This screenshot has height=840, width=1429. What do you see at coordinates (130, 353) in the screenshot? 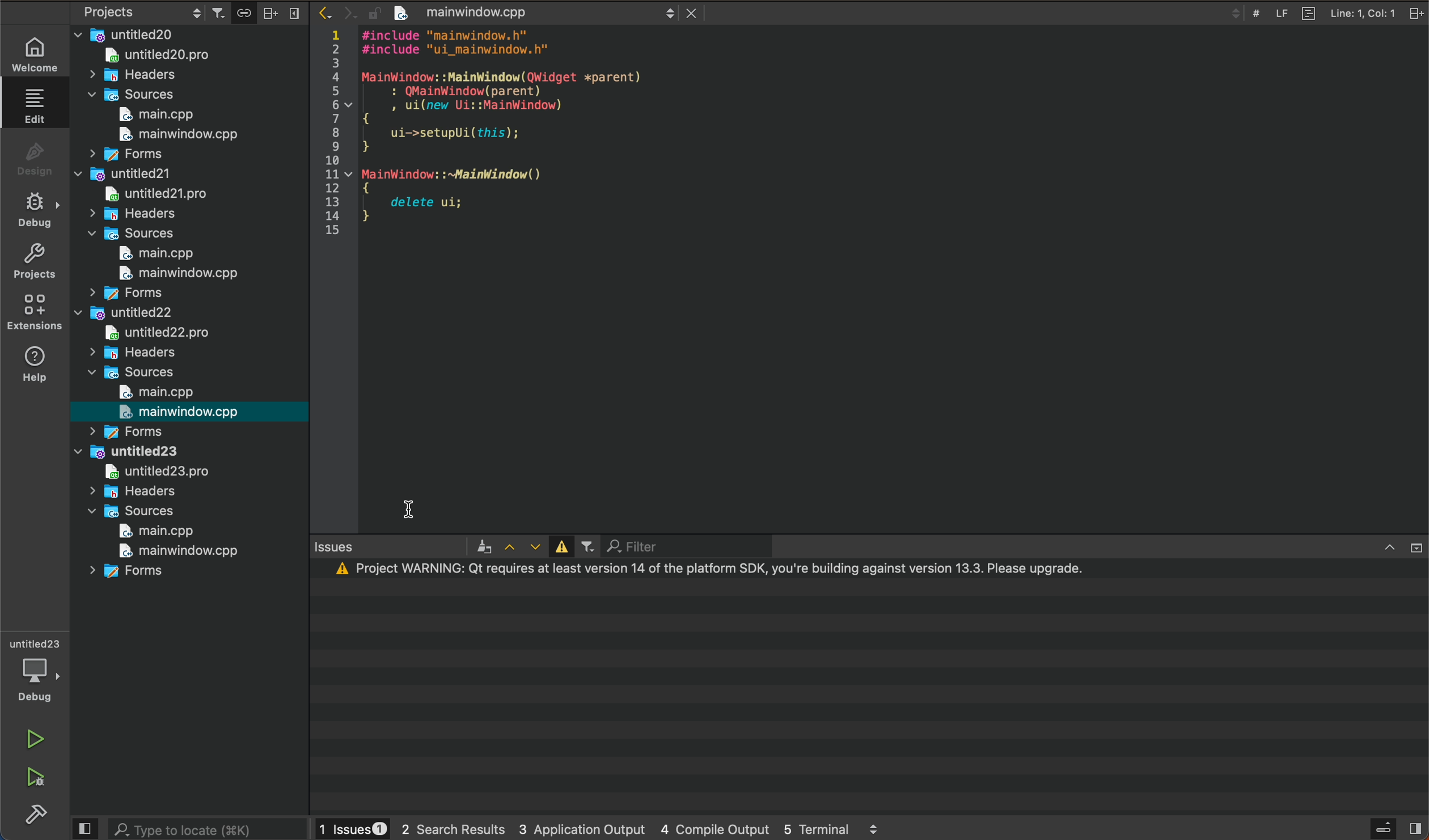
I see `headers` at bounding box center [130, 353].